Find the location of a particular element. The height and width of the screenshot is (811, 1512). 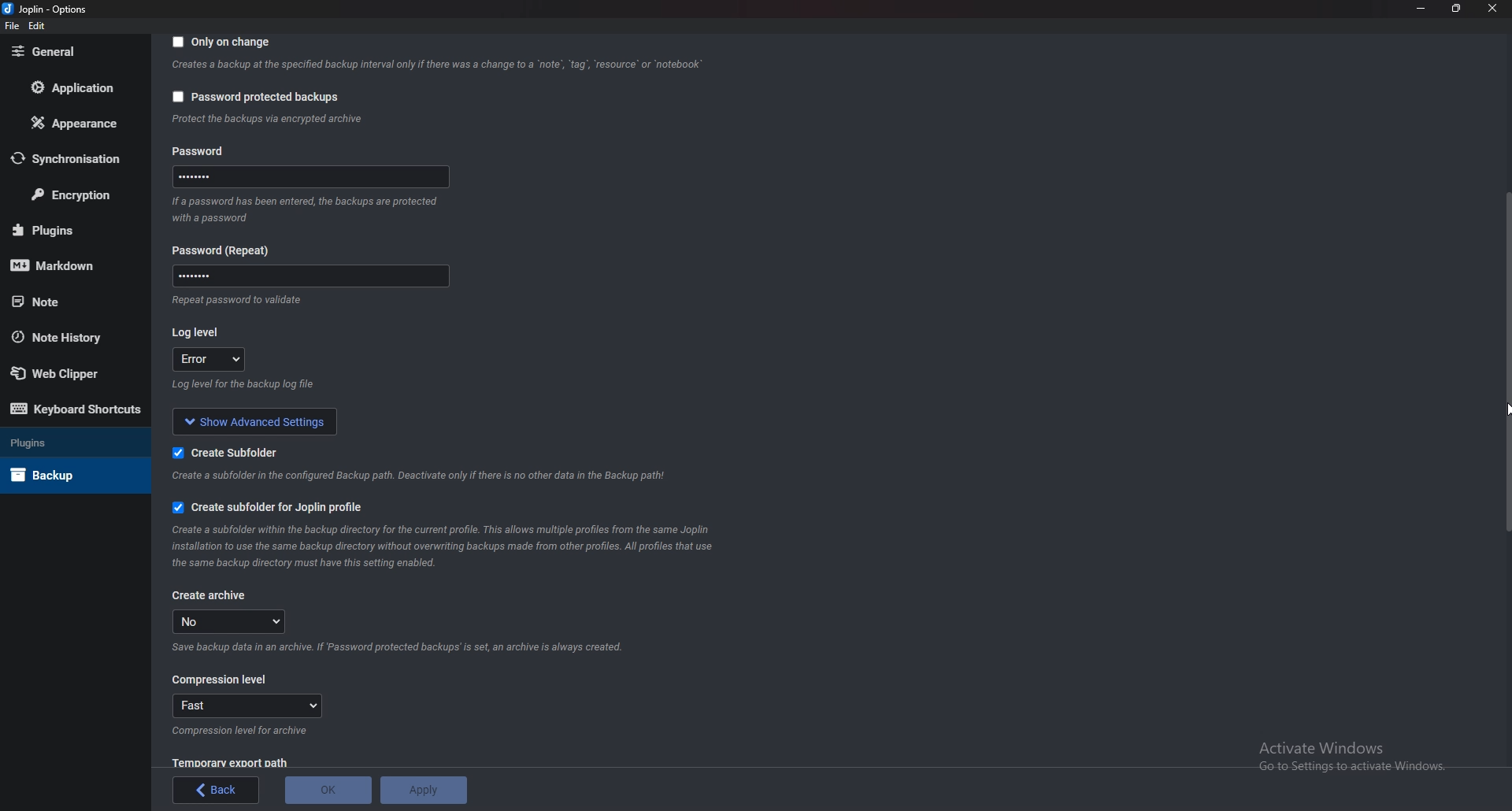

general is located at coordinates (68, 52).